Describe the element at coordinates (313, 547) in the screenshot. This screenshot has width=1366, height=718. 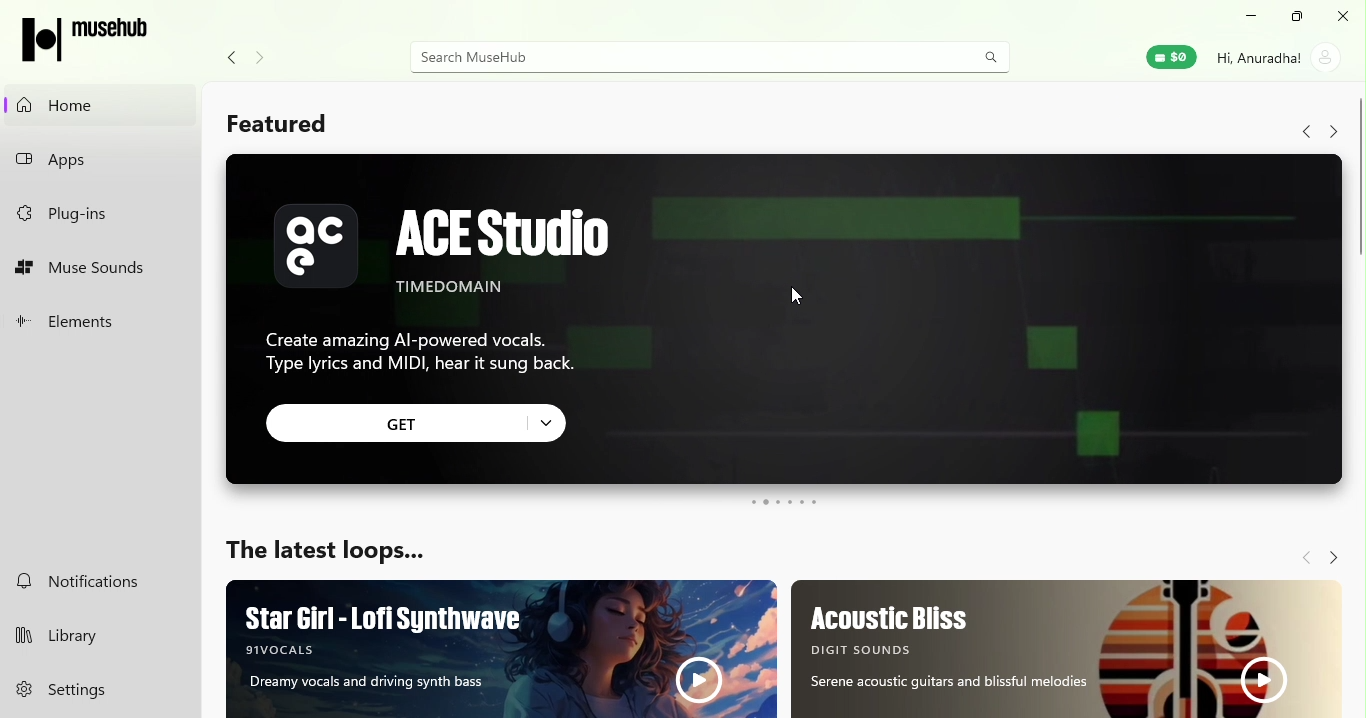
I see `The latest loops` at that location.